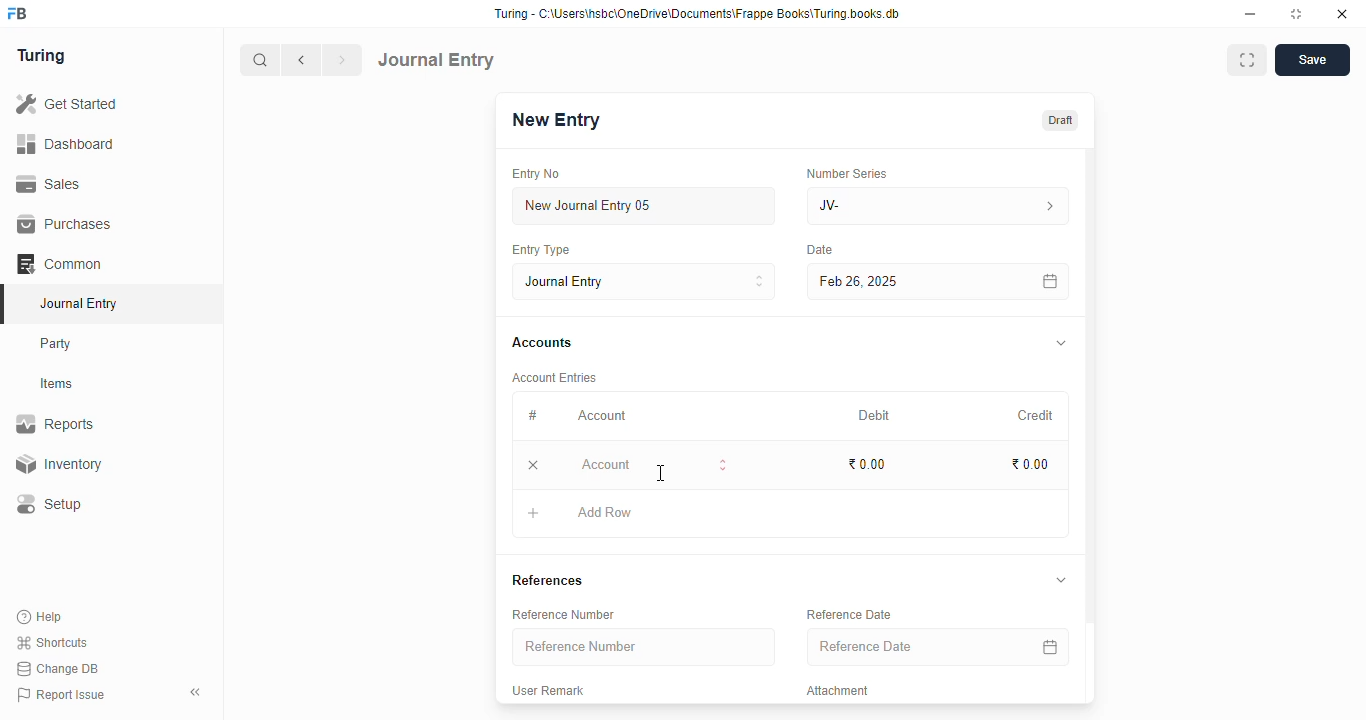 The width and height of the screenshot is (1366, 720). Describe the element at coordinates (58, 464) in the screenshot. I see `inventory` at that location.